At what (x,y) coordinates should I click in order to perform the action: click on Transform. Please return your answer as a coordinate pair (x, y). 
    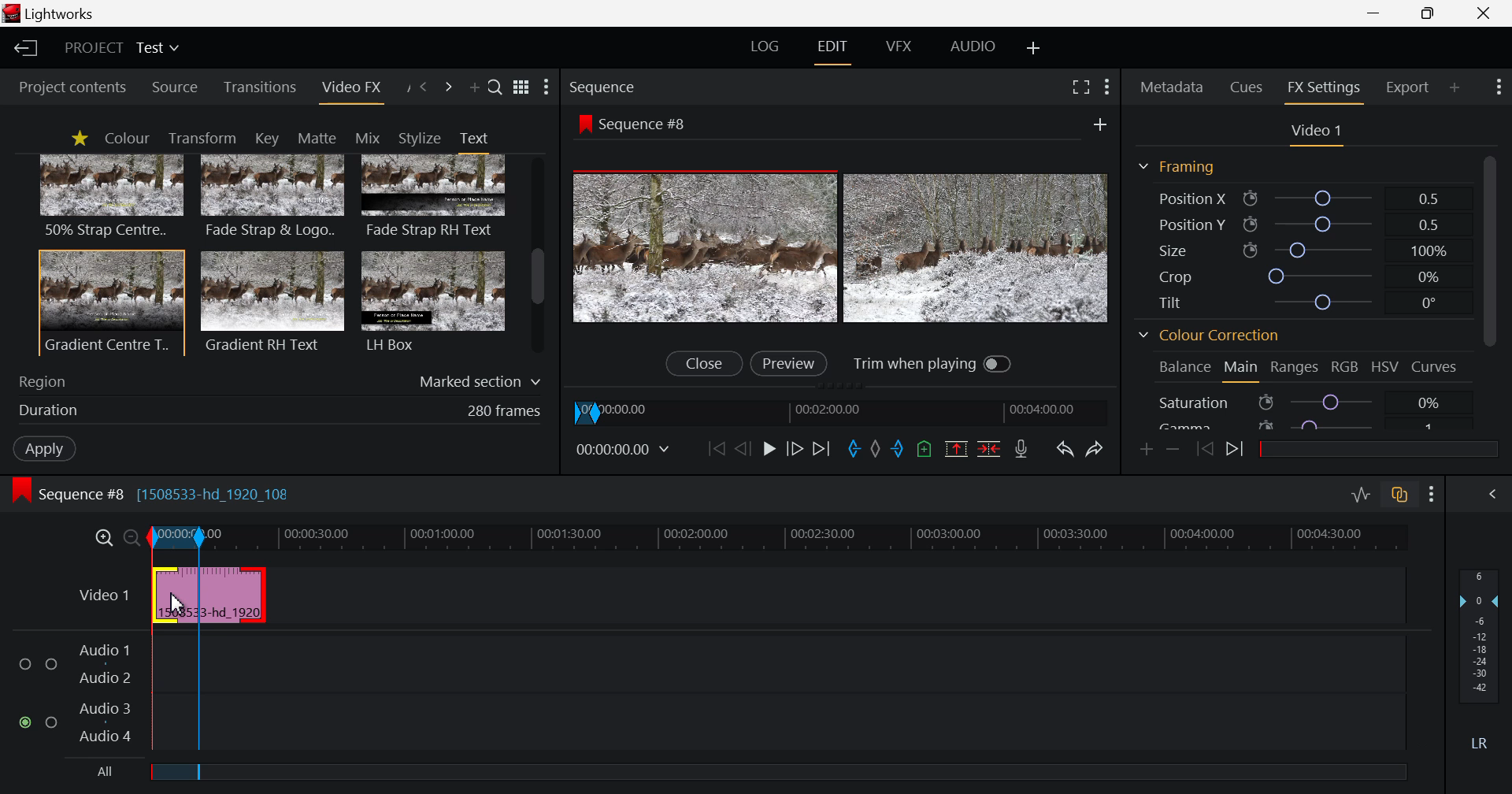
    Looking at the image, I should click on (206, 139).